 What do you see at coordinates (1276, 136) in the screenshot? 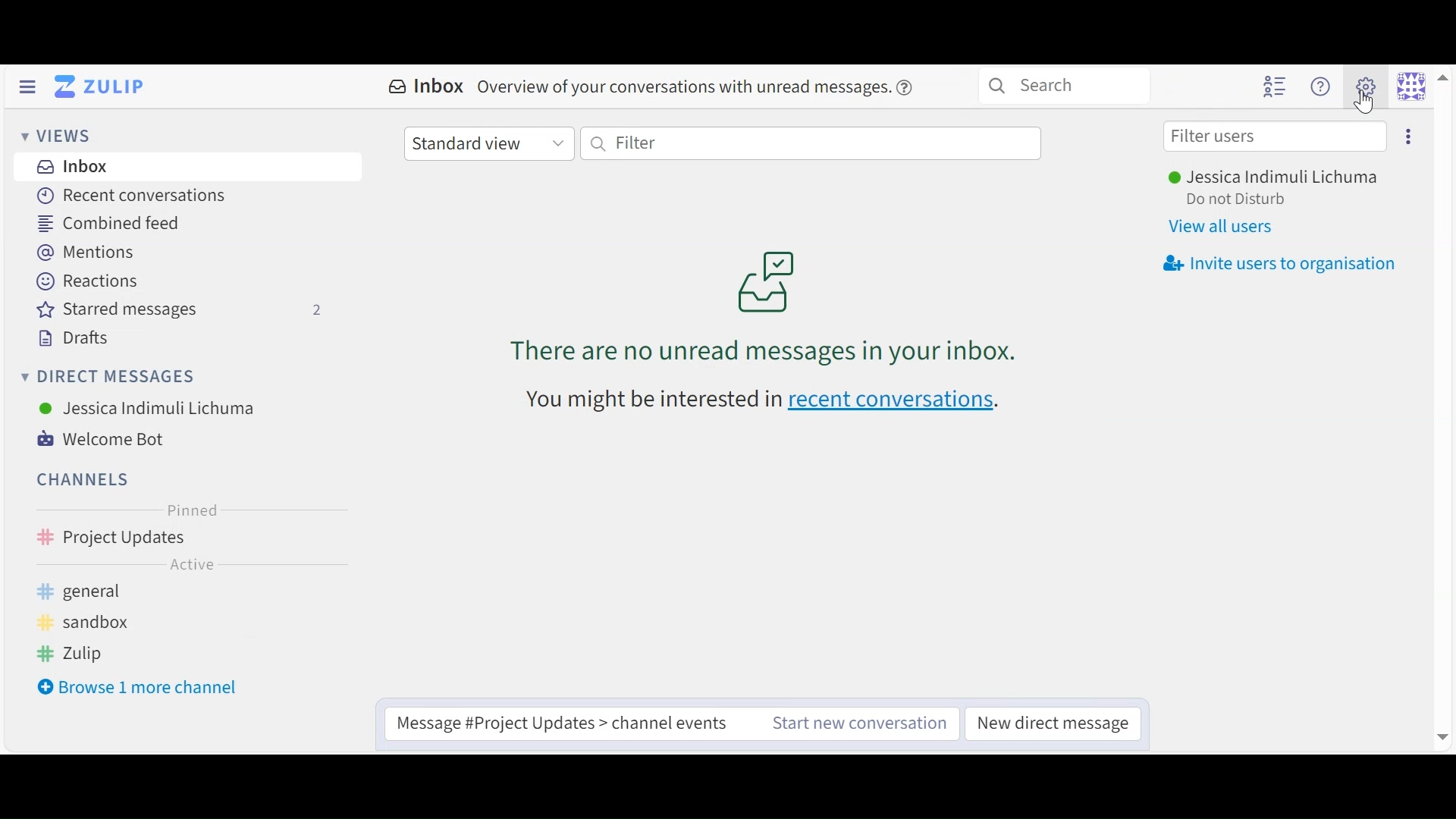
I see `Filter user` at bounding box center [1276, 136].